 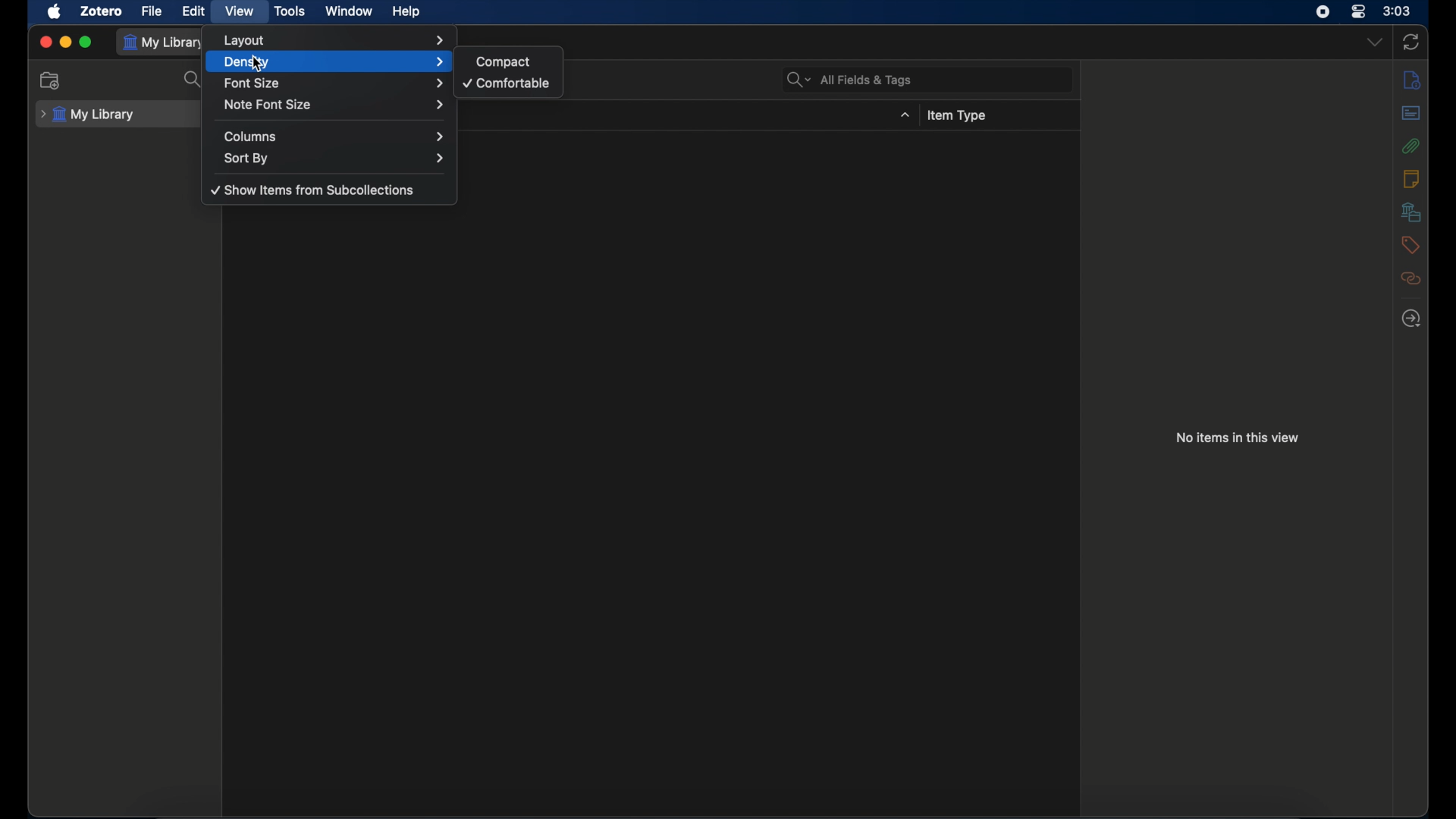 I want to click on comfortable, so click(x=508, y=82).